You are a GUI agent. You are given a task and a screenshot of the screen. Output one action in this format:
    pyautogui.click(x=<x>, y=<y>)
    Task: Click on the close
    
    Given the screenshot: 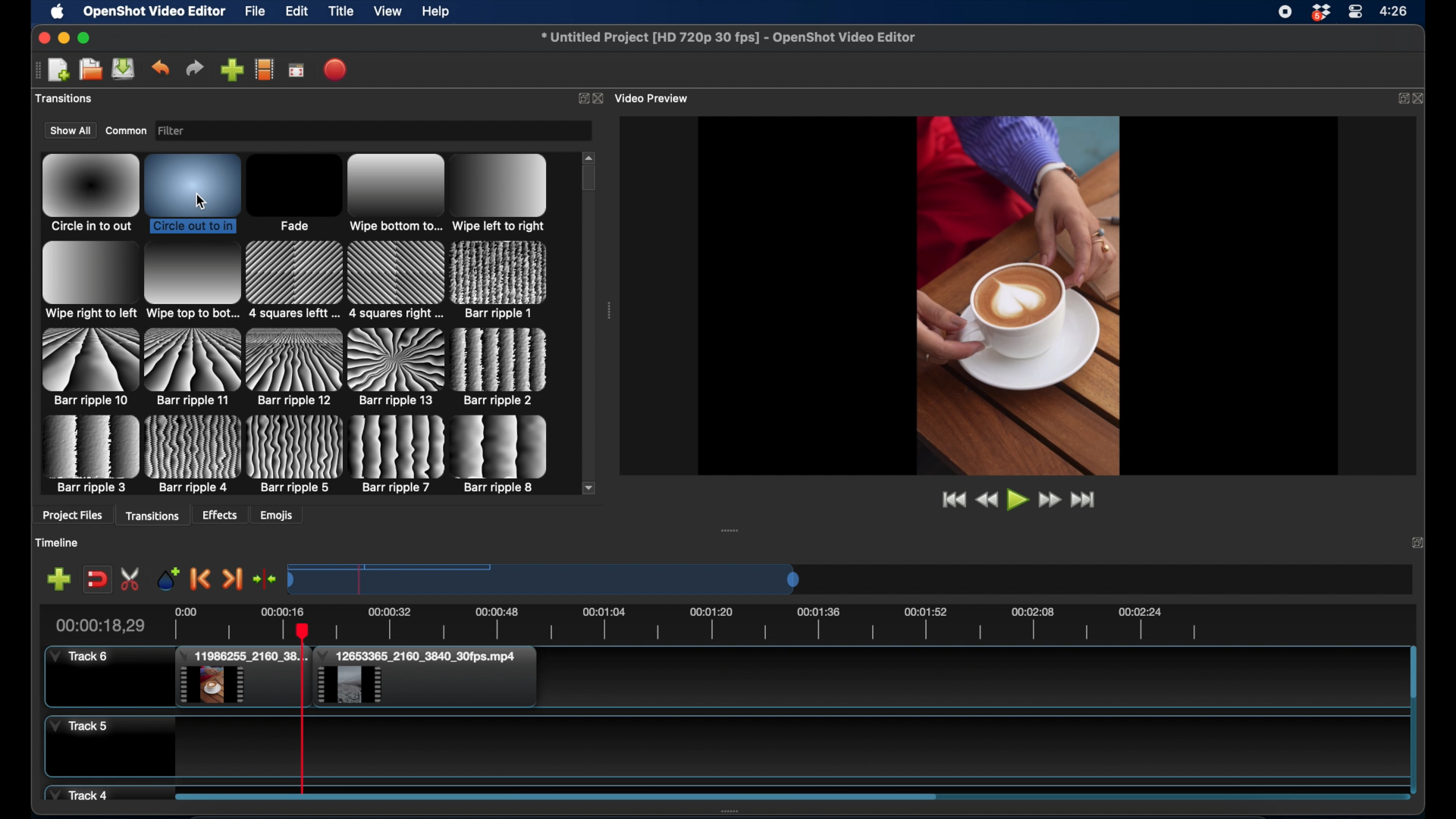 What is the action you would take?
    pyautogui.click(x=1422, y=98)
    